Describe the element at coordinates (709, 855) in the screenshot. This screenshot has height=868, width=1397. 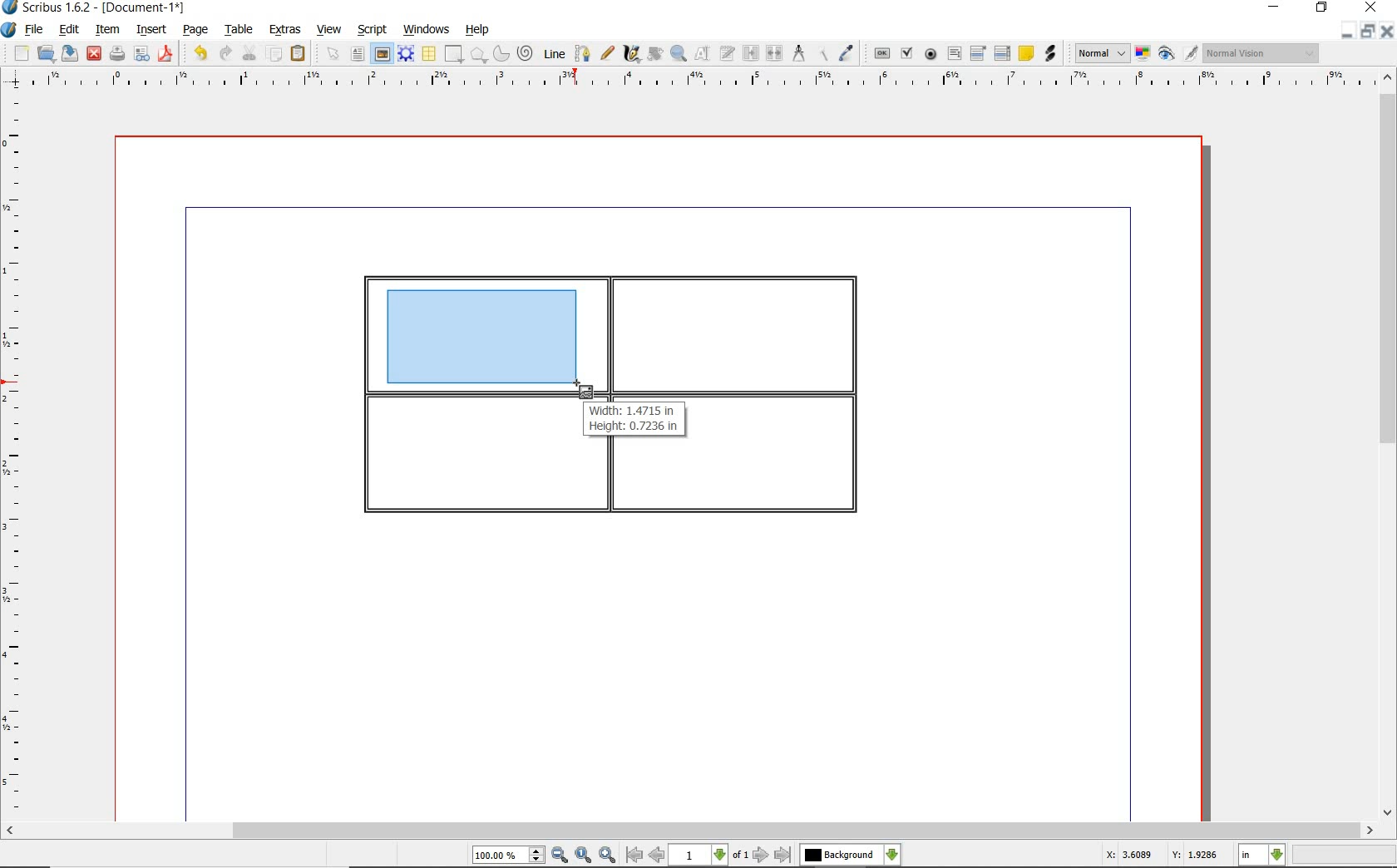
I see `select current page level` at that location.